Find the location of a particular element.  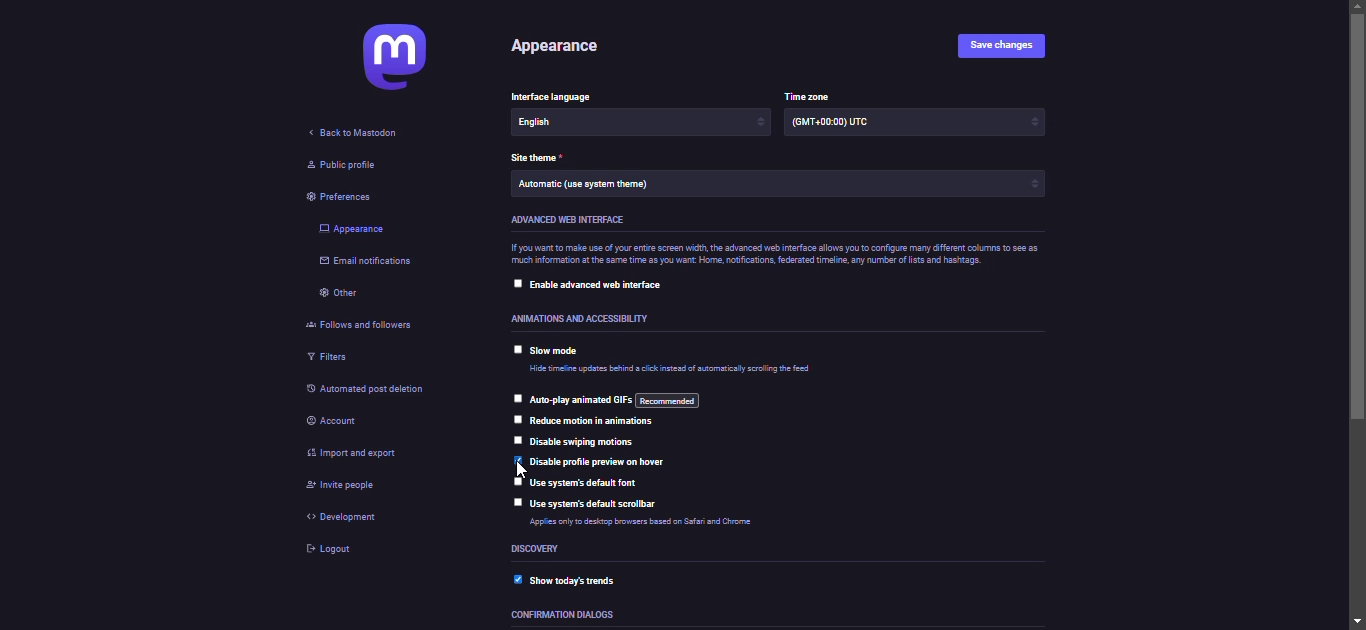

language is located at coordinates (561, 122).